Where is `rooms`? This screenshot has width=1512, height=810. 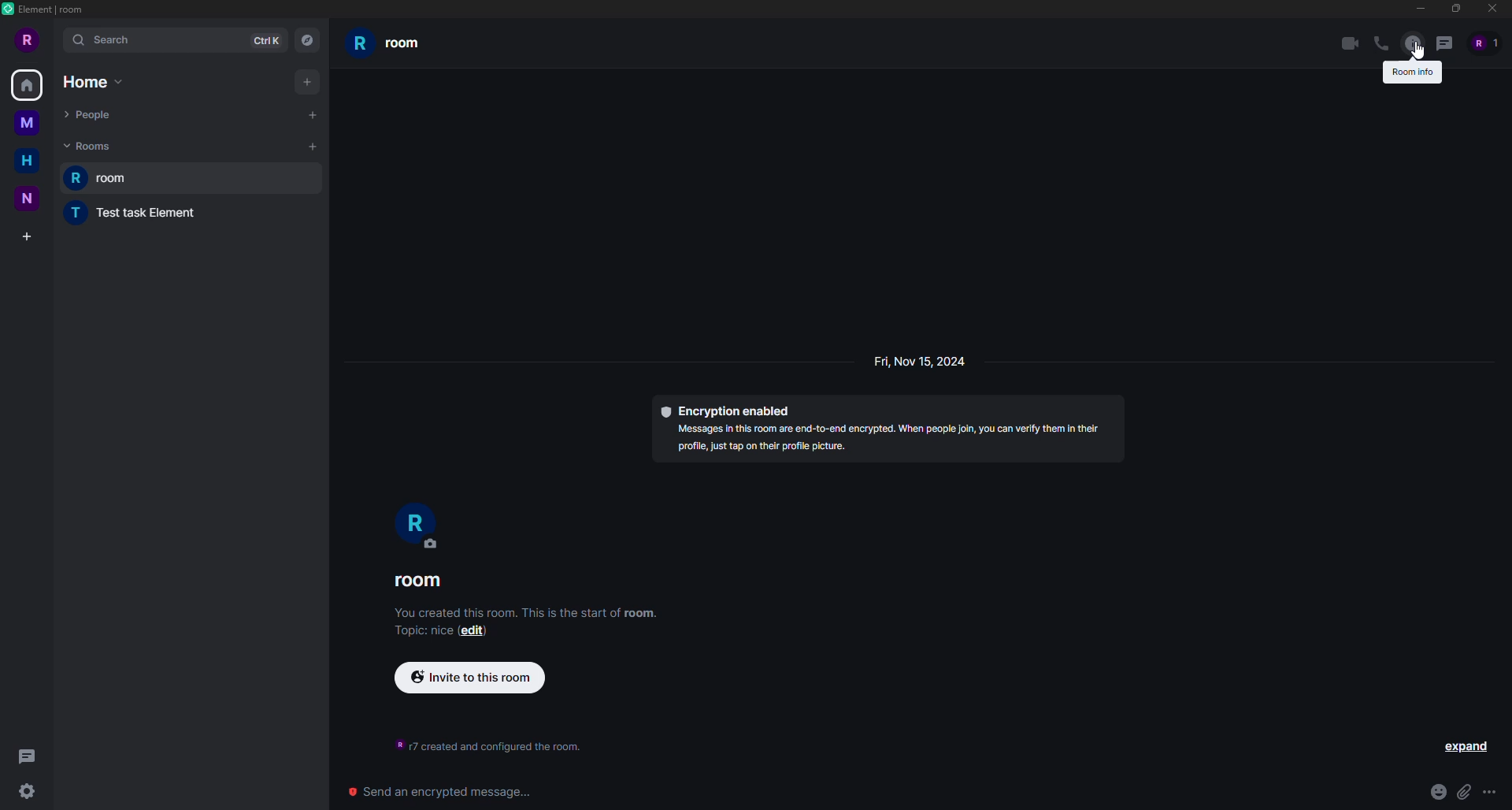 rooms is located at coordinates (89, 146).